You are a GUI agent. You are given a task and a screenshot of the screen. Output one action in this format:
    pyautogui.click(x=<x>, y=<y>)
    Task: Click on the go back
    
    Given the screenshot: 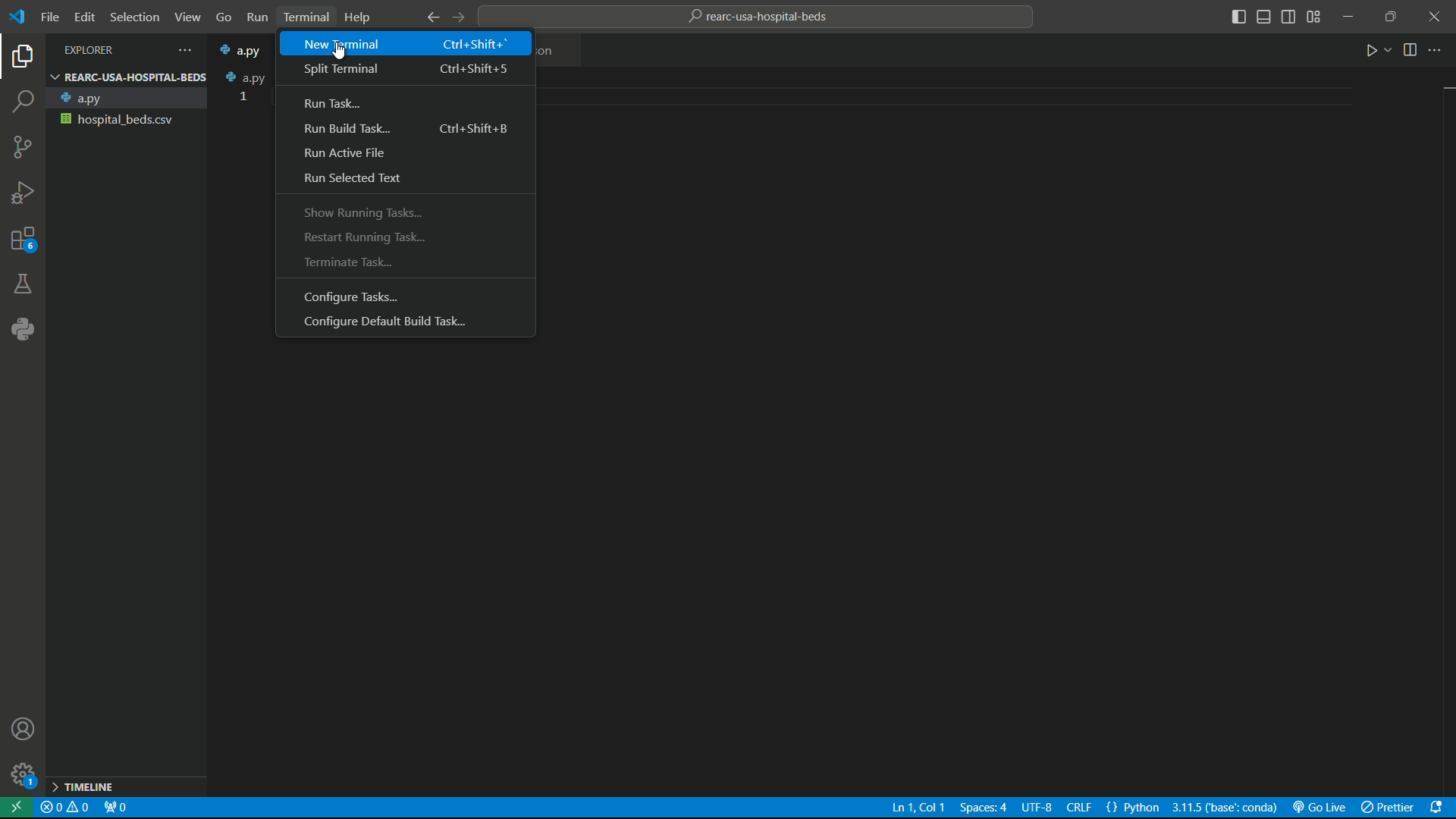 What is the action you would take?
    pyautogui.click(x=431, y=17)
    